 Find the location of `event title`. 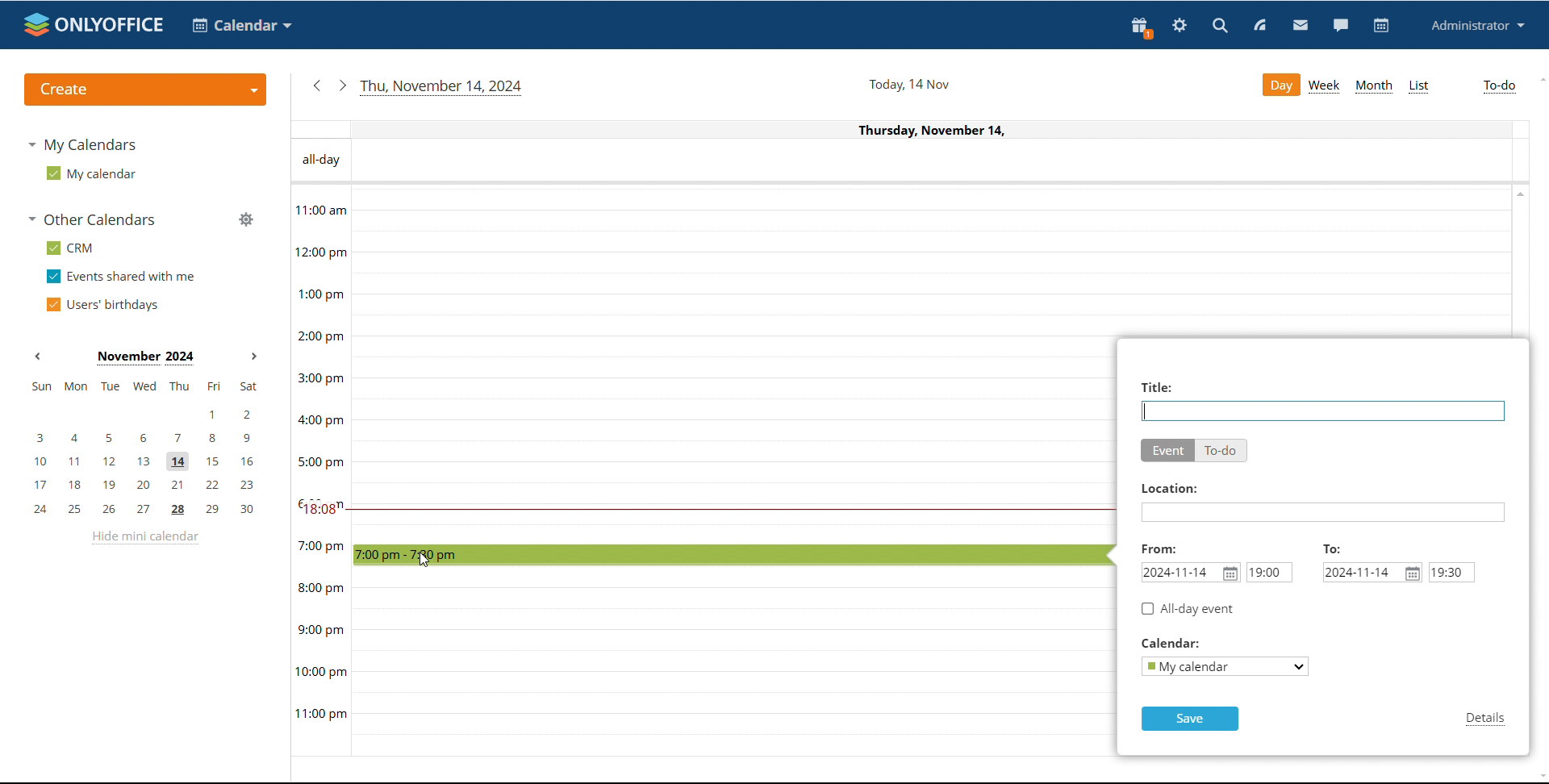

event title is located at coordinates (1321, 411).